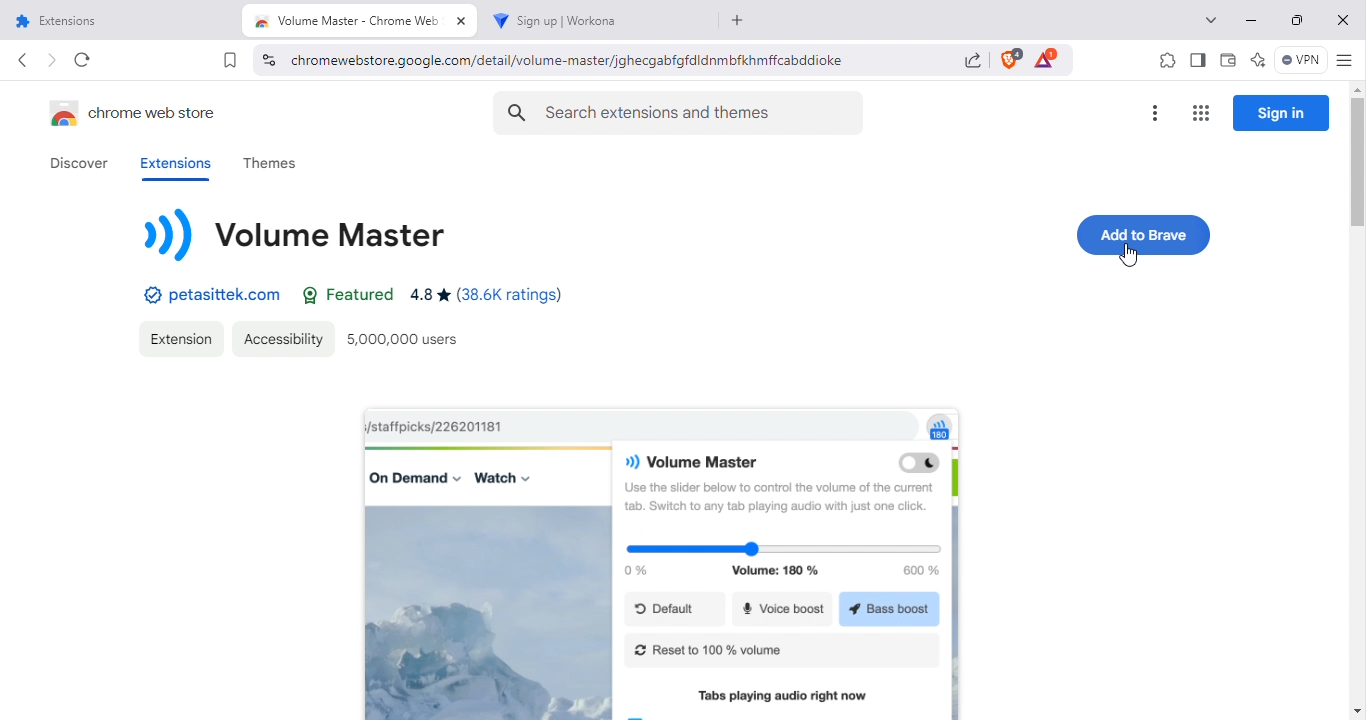  Describe the element at coordinates (1293, 20) in the screenshot. I see `Maximize` at that location.